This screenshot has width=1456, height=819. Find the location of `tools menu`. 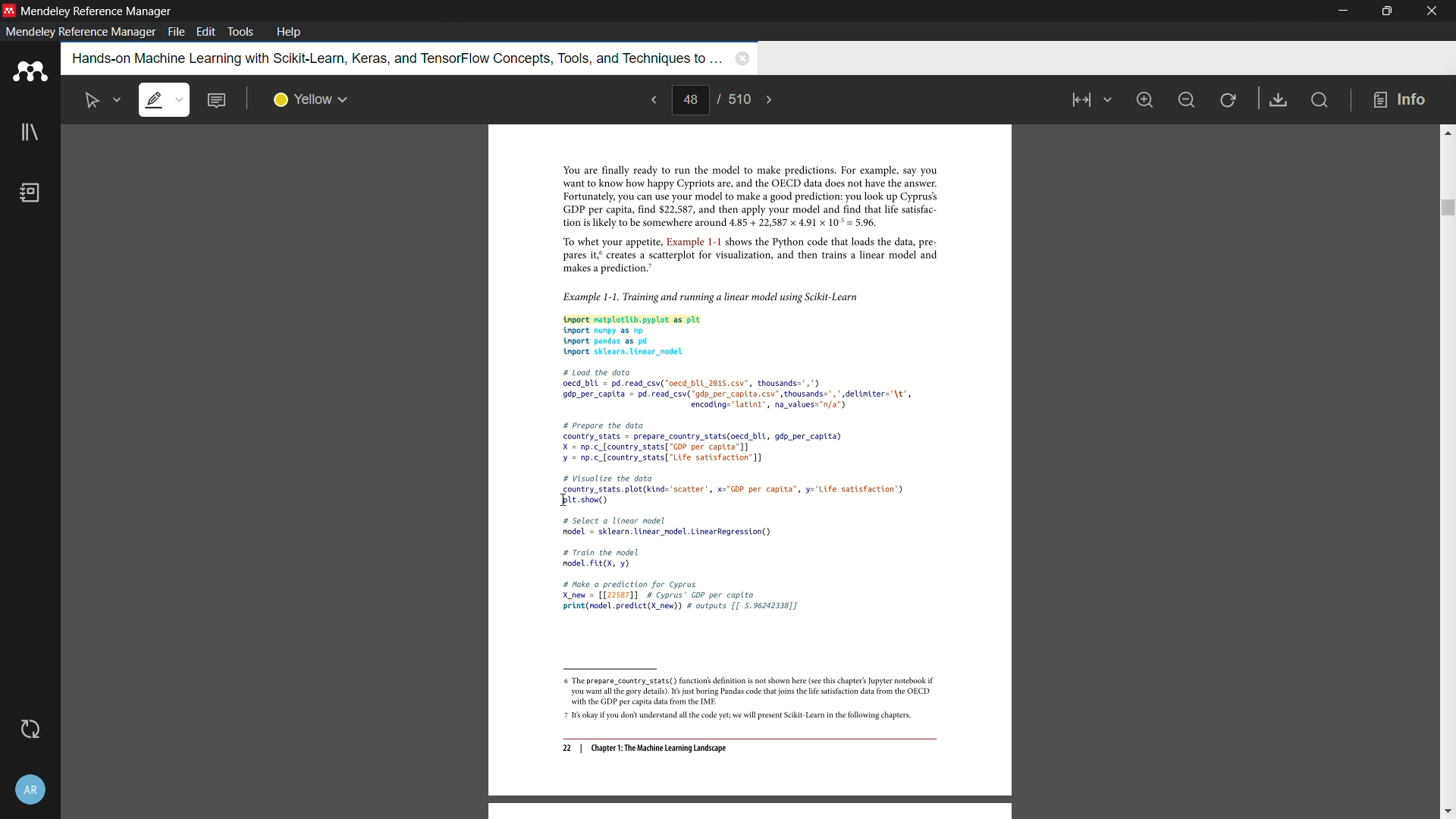

tools menu is located at coordinates (240, 32).